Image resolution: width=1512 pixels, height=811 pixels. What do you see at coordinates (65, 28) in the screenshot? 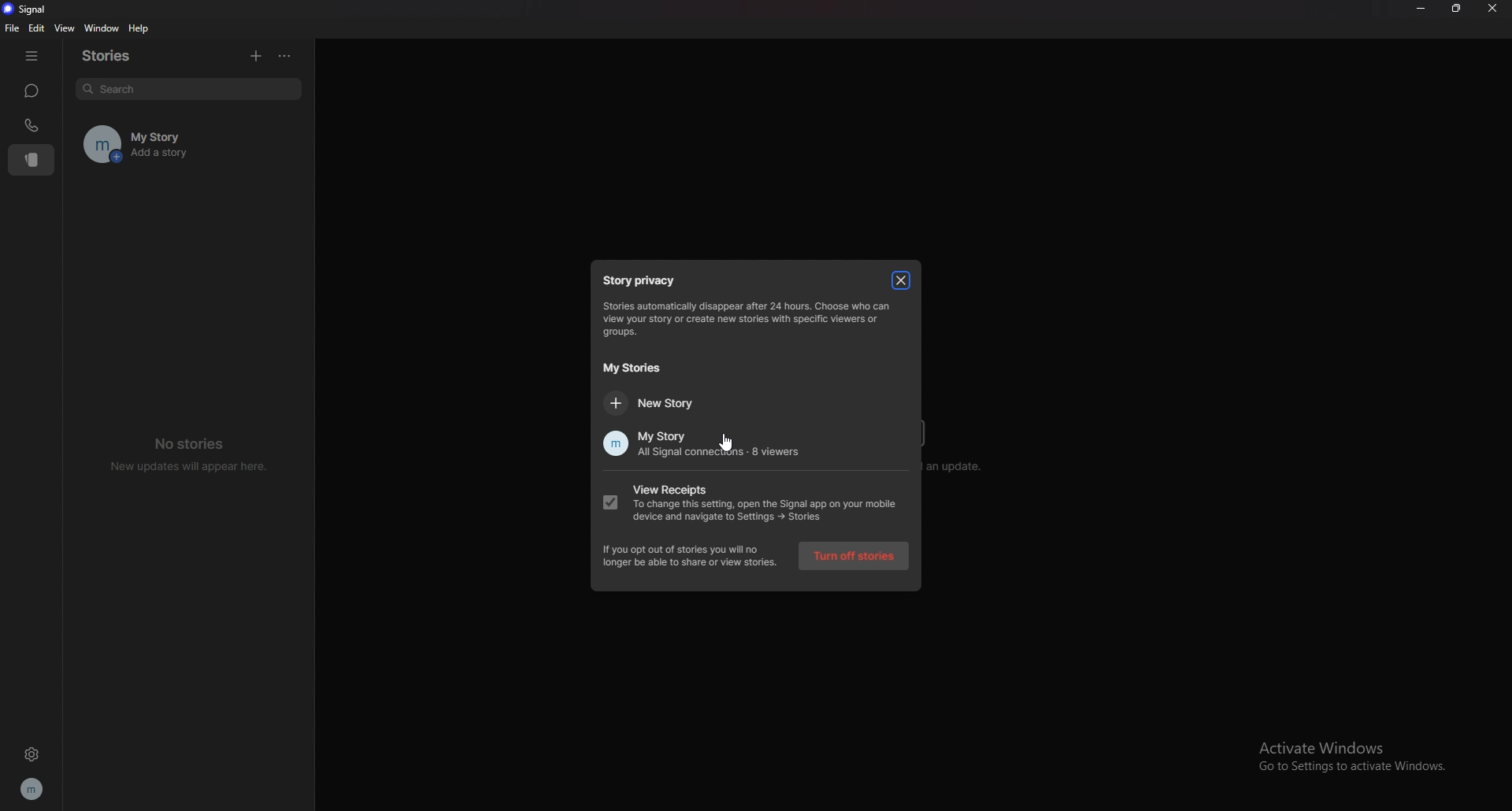
I see `view` at bounding box center [65, 28].